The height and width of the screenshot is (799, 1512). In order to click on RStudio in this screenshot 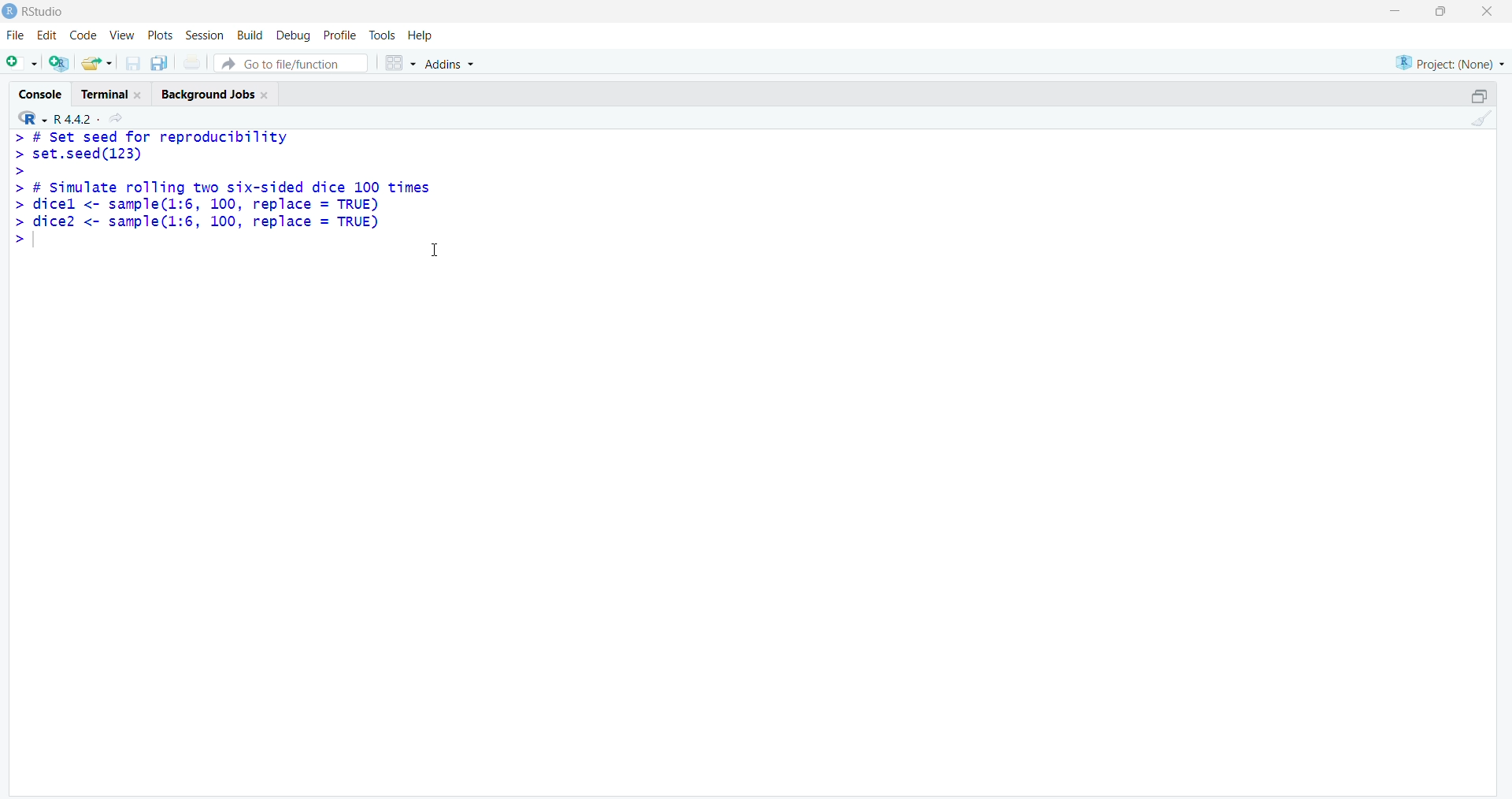, I will do `click(46, 13)`.